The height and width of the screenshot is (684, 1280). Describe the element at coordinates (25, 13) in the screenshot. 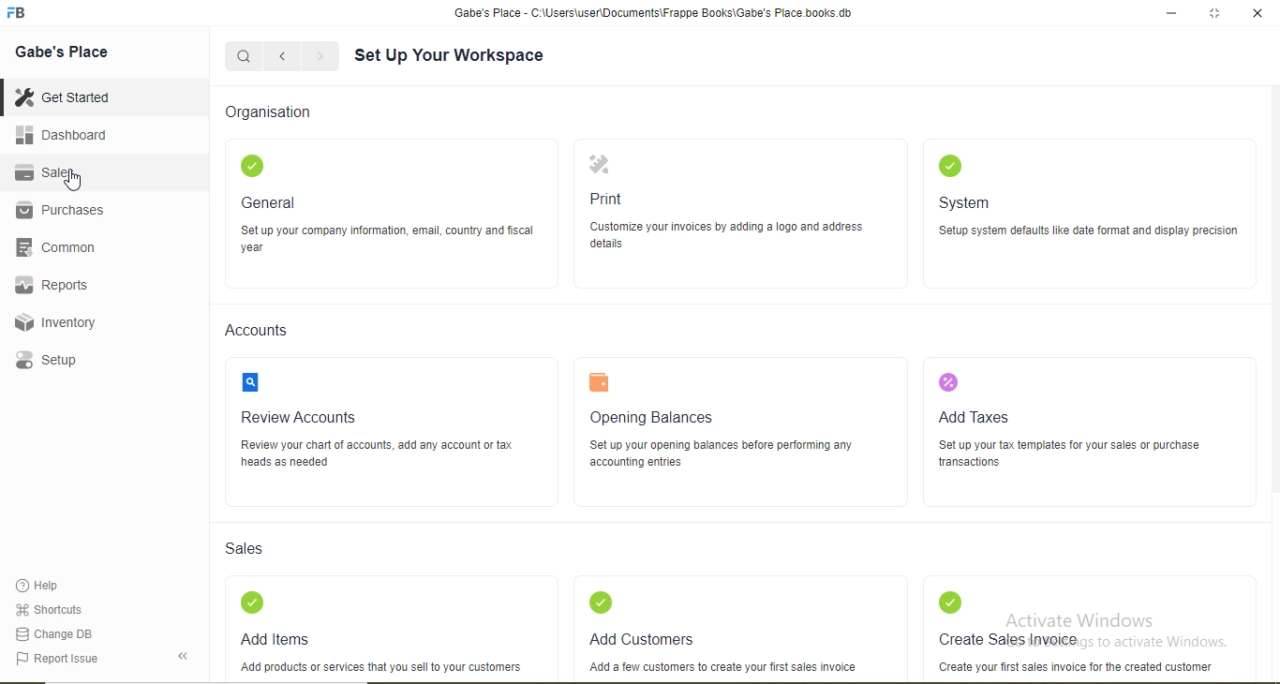

I see `logo` at that location.